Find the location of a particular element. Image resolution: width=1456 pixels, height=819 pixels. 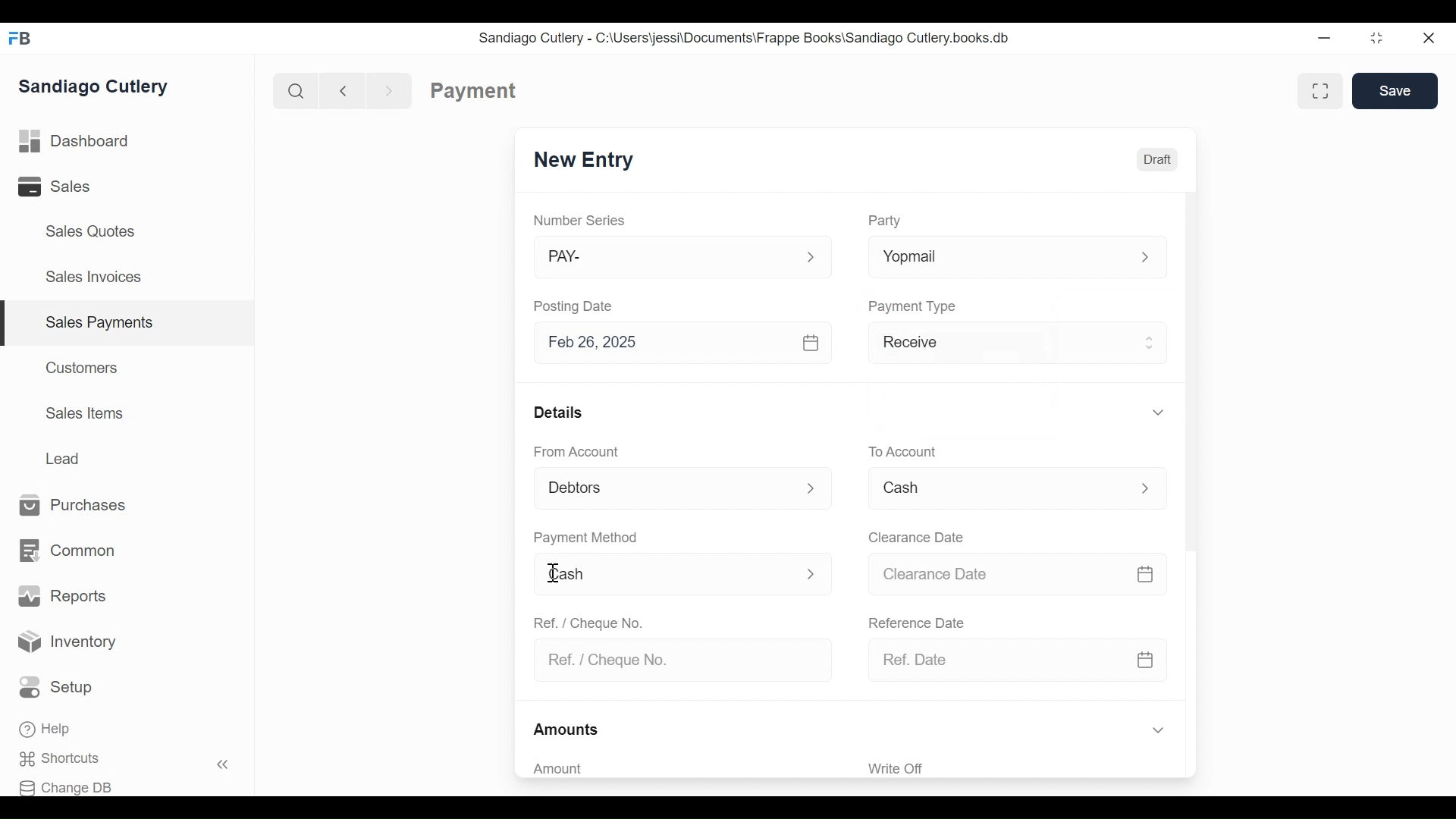

Sales Invoices is located at coordinates (93, 278).